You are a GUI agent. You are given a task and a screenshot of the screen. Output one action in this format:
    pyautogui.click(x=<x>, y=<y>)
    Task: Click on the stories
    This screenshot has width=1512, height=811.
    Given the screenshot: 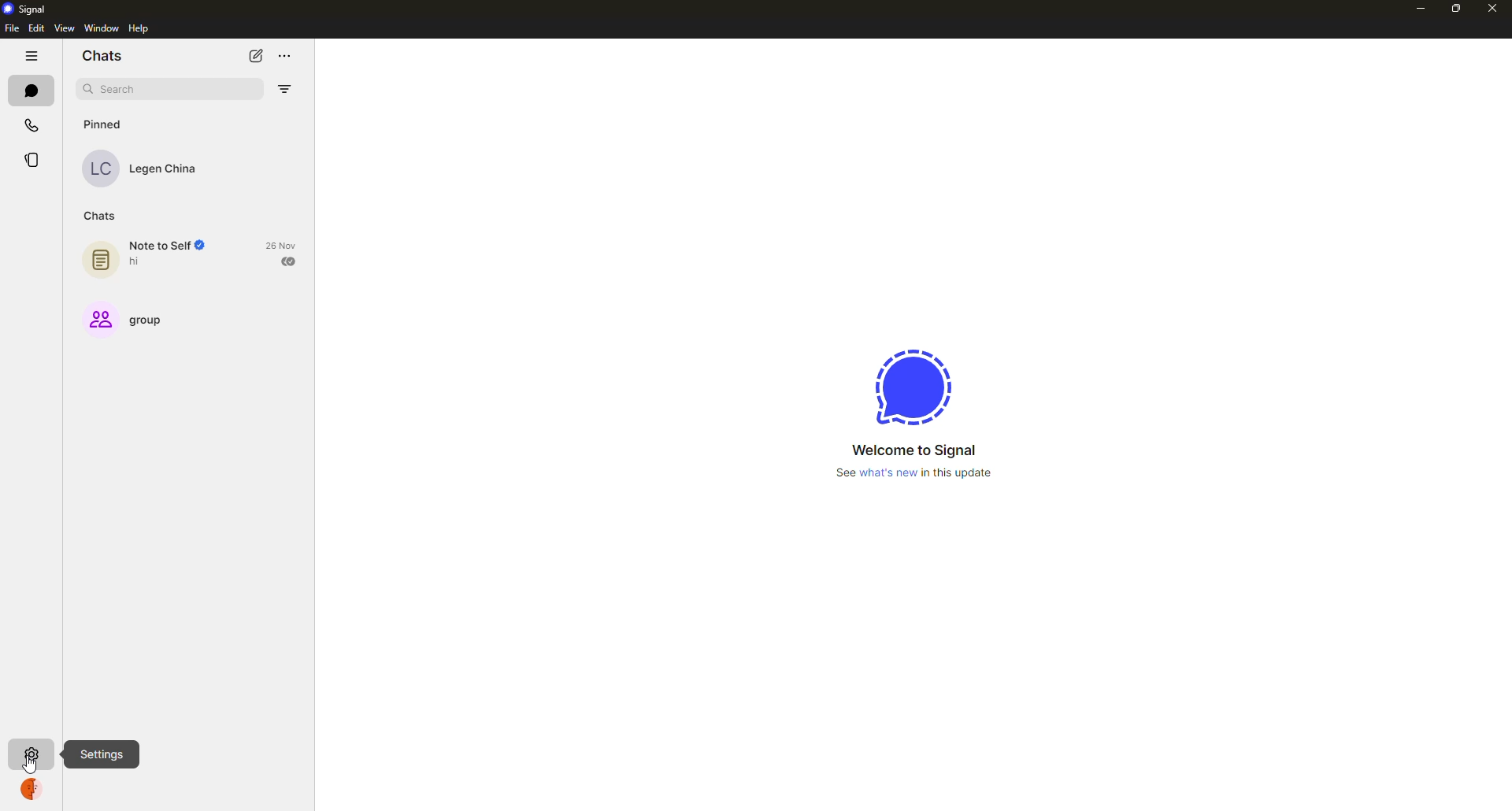 What is the action you would take?
    pyautogui.click(x=34, y=159)
    